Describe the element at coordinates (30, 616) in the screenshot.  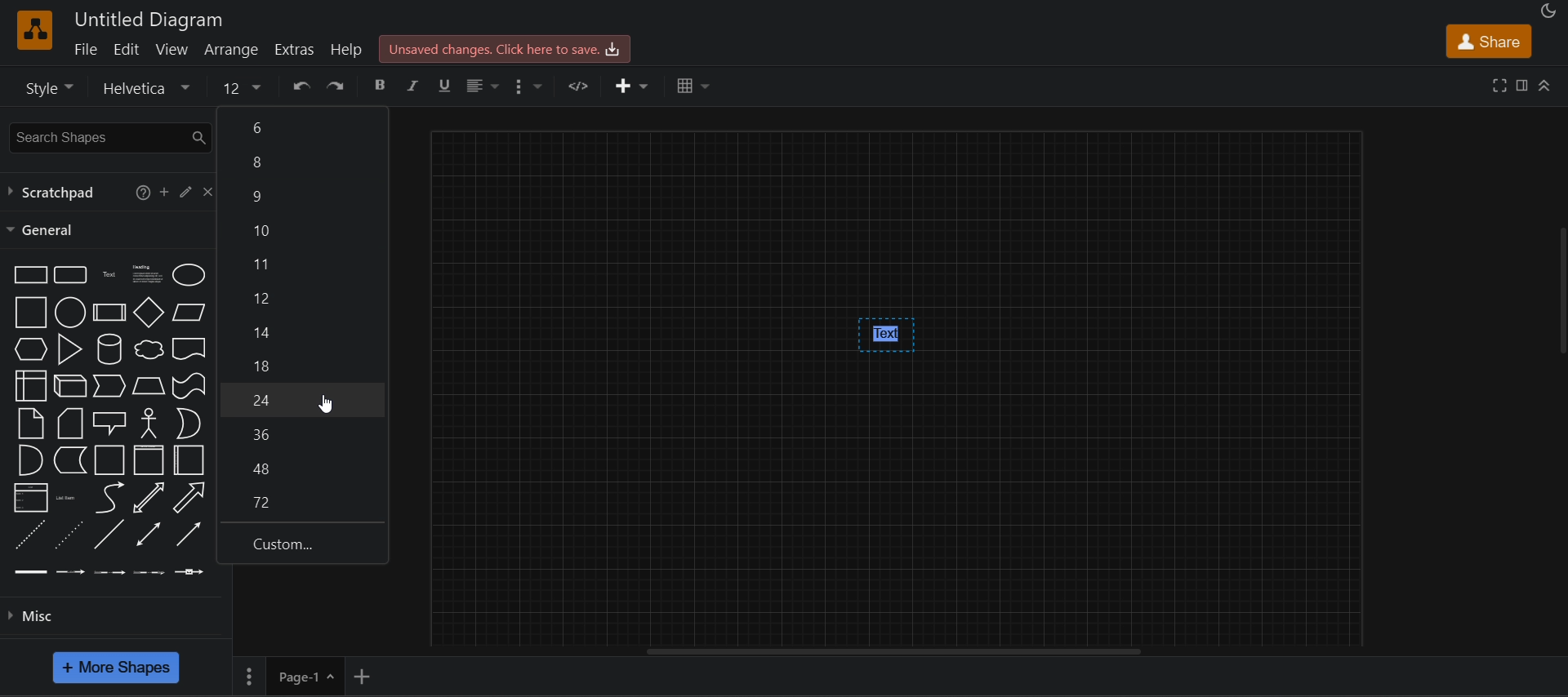
I see `misc` at that location.